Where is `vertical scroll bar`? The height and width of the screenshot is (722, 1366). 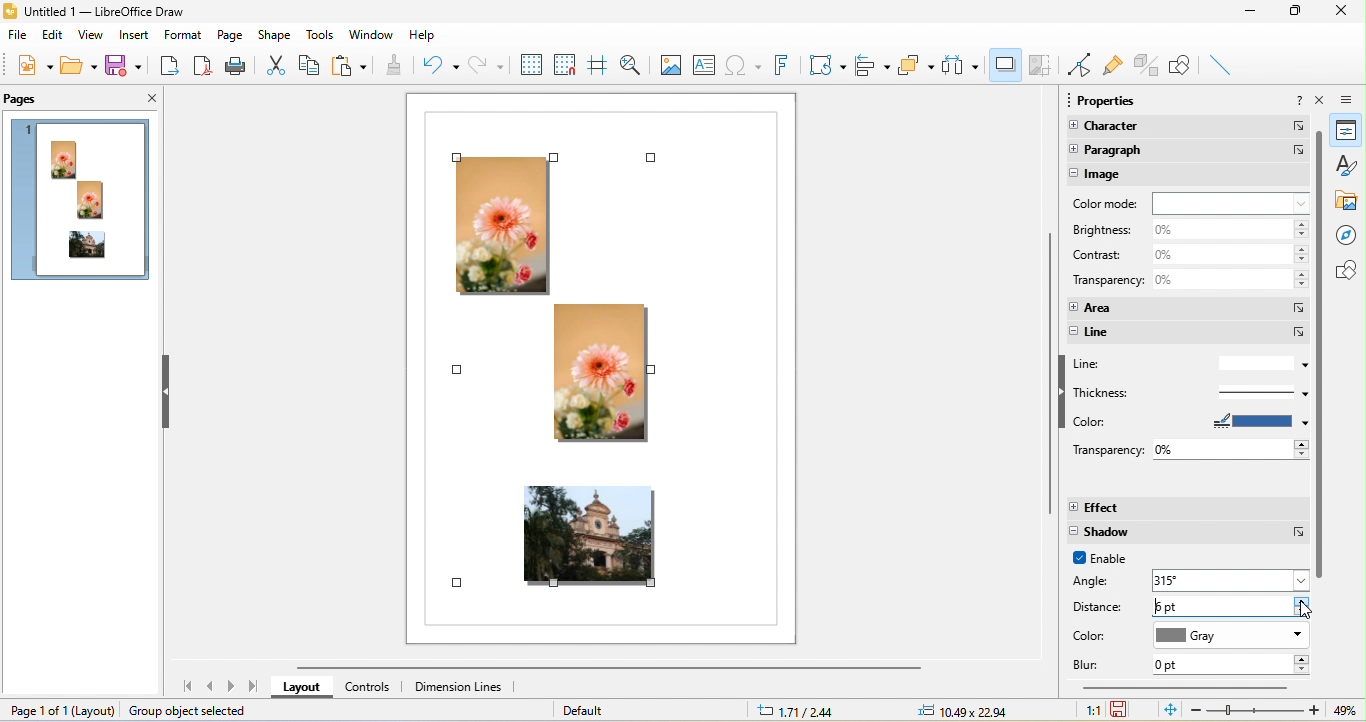
vertical scroll bar is located at coordinates (1320, 355).